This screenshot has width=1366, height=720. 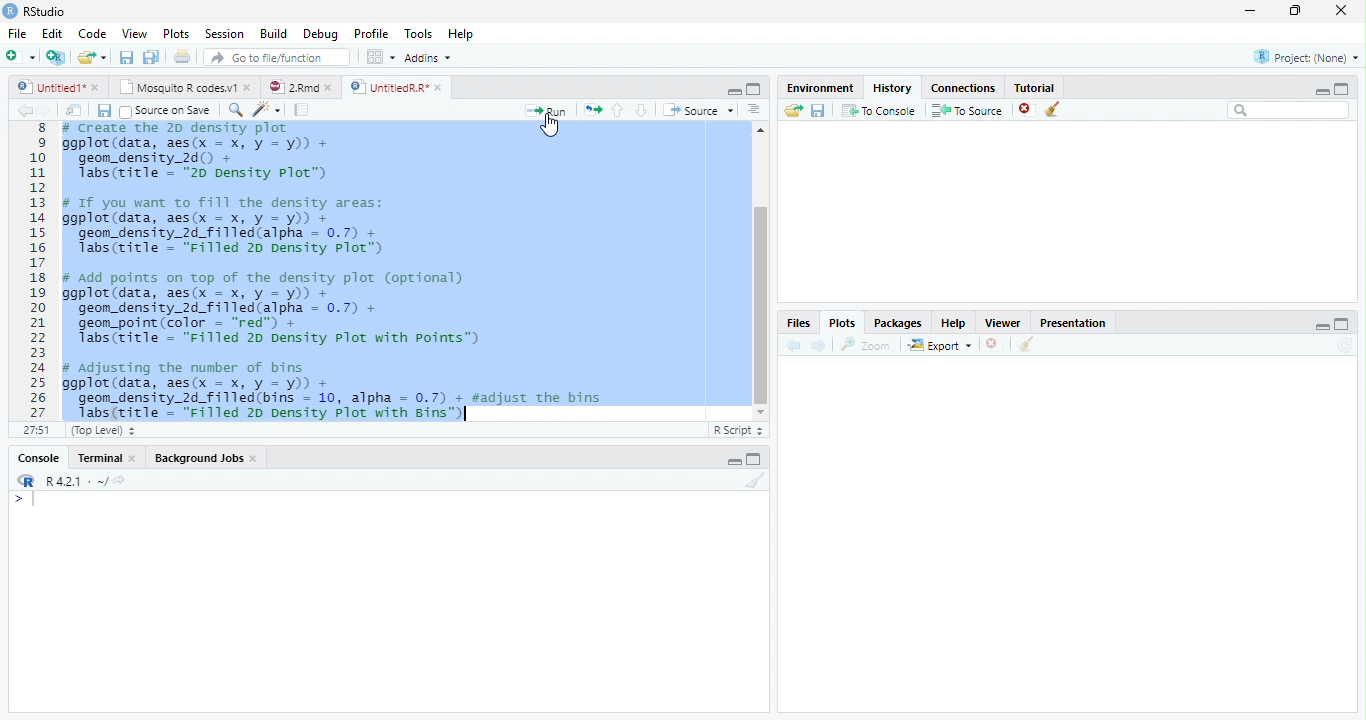 What do you see at coordinates (440, 87) in the screenshot?
I see `close` at bounding box center [440, 87].